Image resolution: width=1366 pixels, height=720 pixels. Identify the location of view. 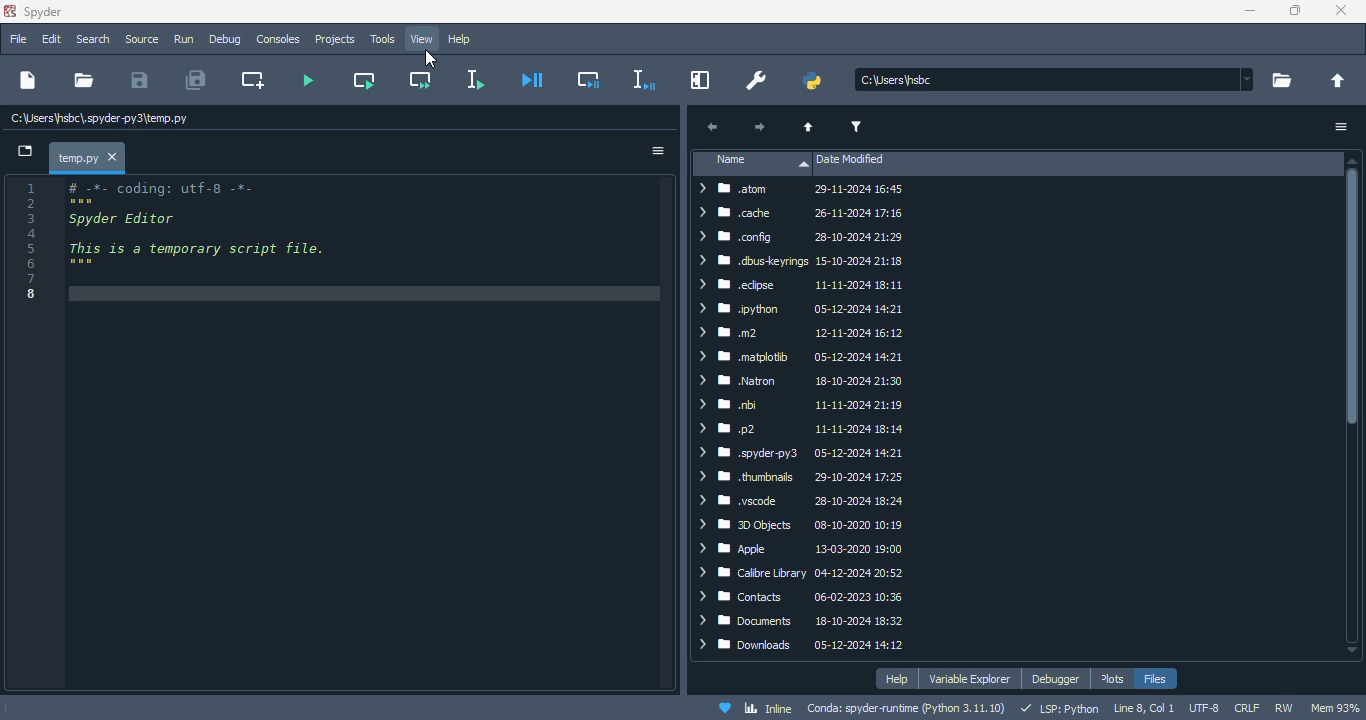
(423, 39).